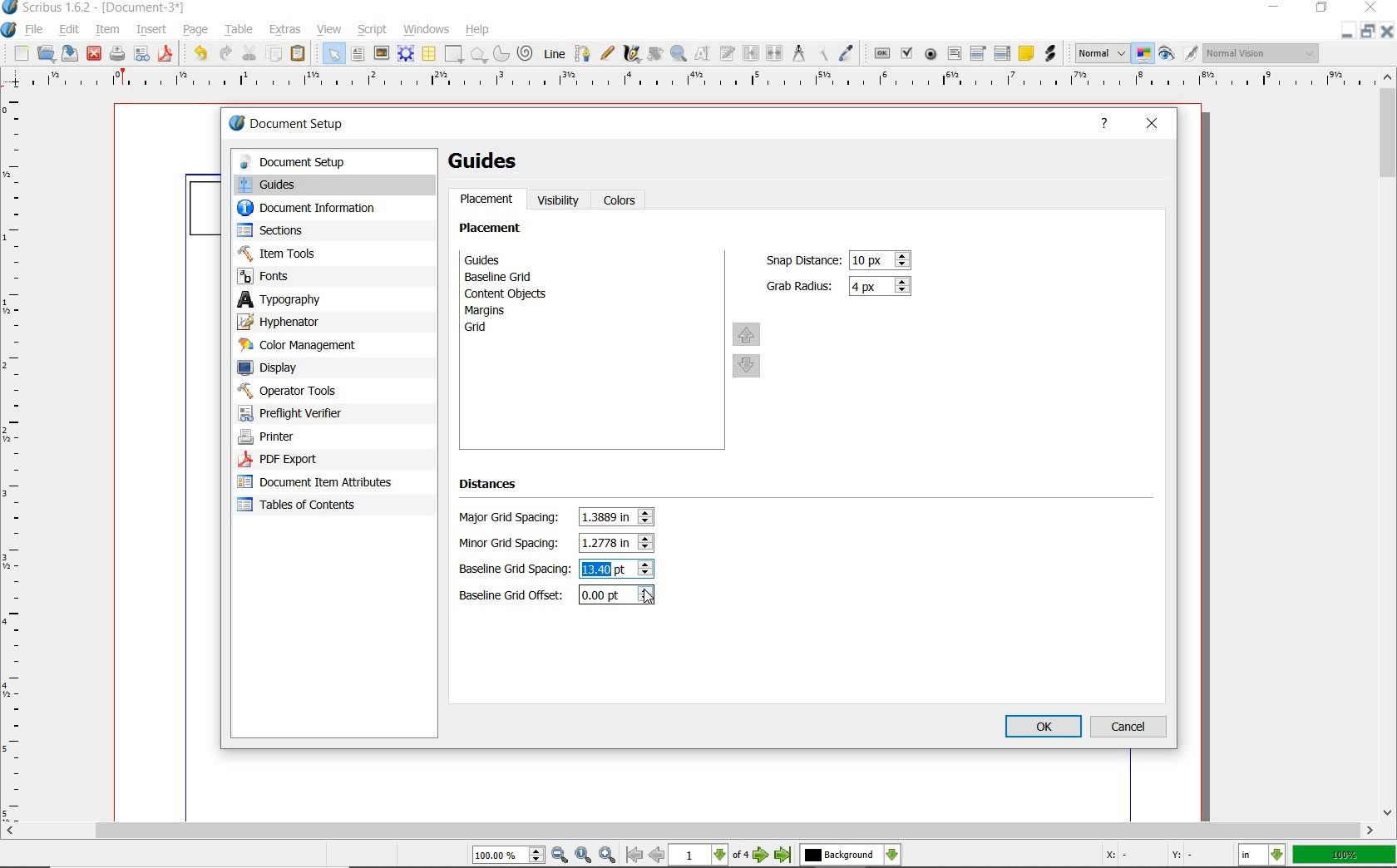 The height and width of the screenshot is (868, 1397). What do you see at coordinates (679, 55) in the screenshot?
I see `zoom in or zoom out` at bounding box center [679, 55].